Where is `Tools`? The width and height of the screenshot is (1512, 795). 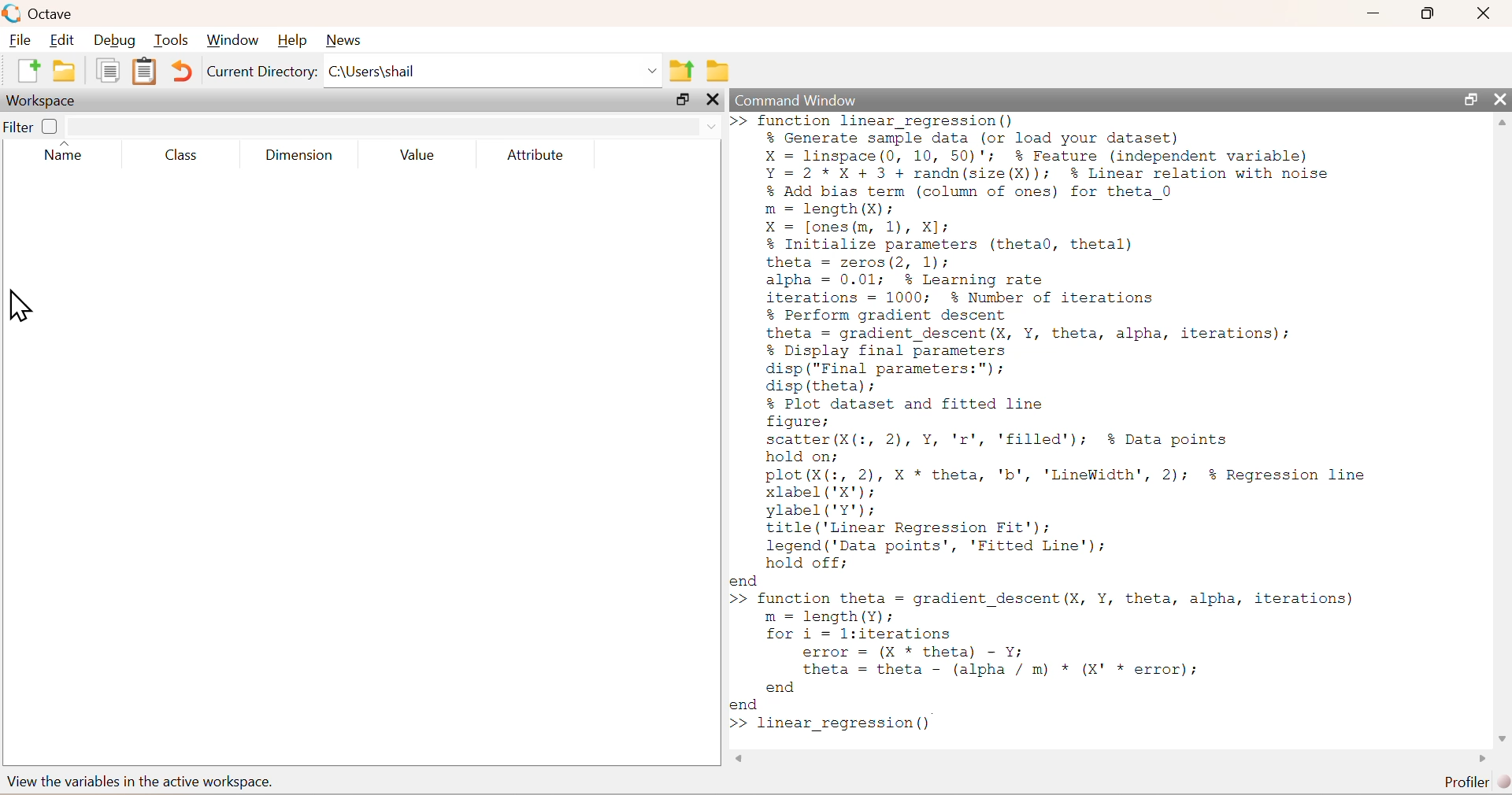 Tools is located at coordinates (172, 40).